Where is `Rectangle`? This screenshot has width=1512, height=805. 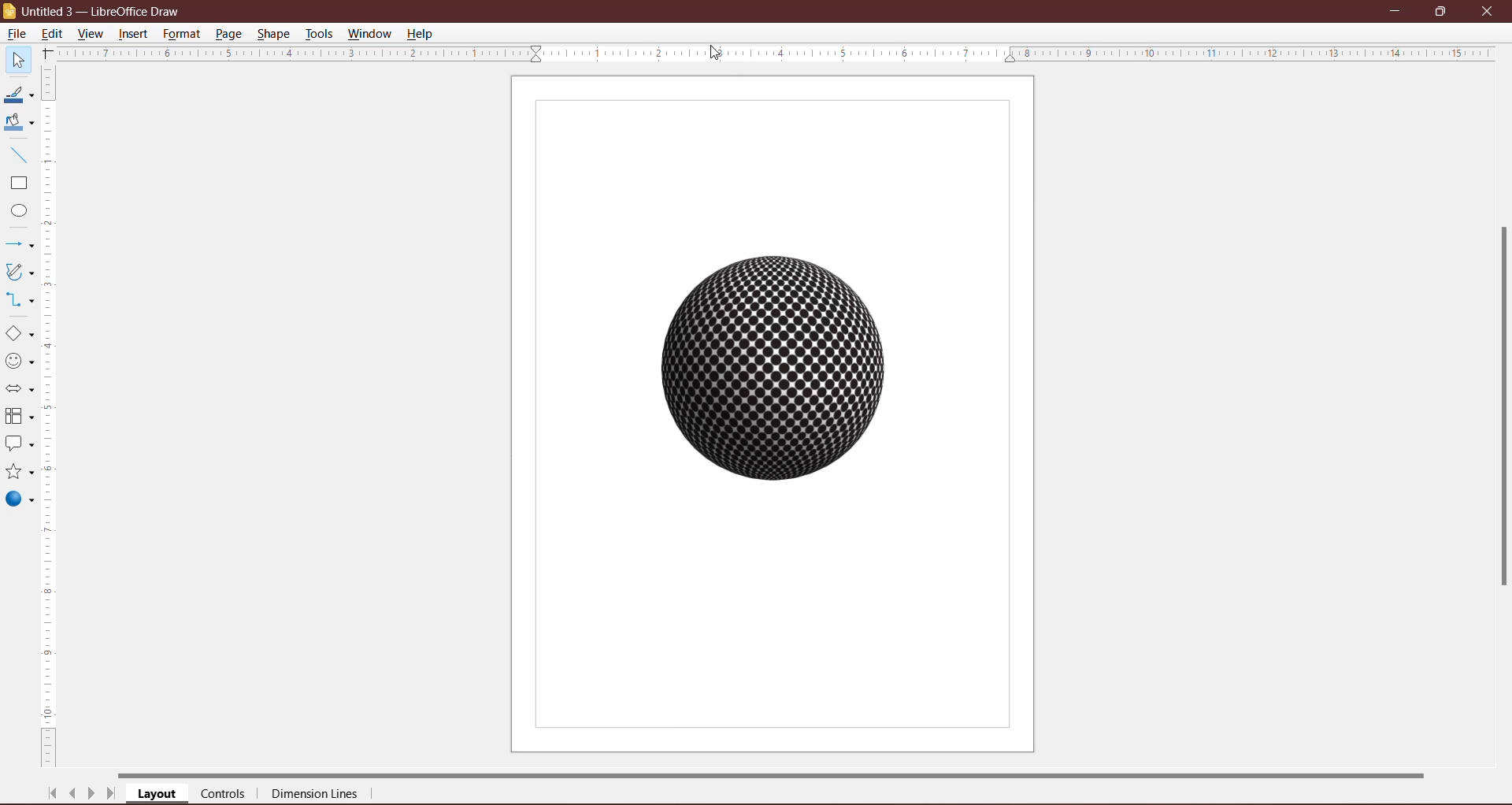 Rectangle is located at coordinates (17, 184).